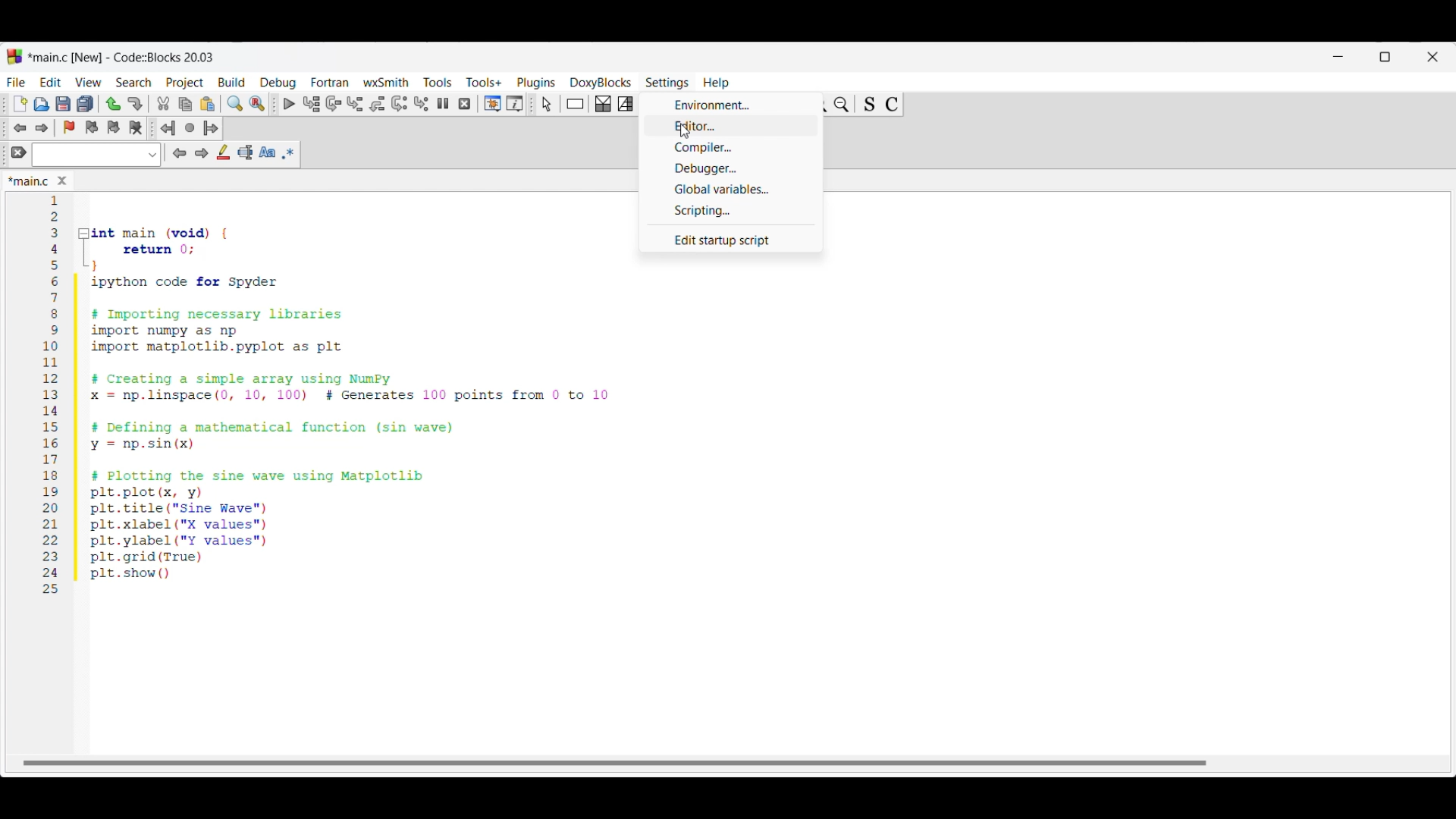 Image resolution: width=1456 pixels, height=819 pixels. What do you see at coordinates (334, 104) in the screenshot?
I see `Next line` at bounding box center [334, 104].